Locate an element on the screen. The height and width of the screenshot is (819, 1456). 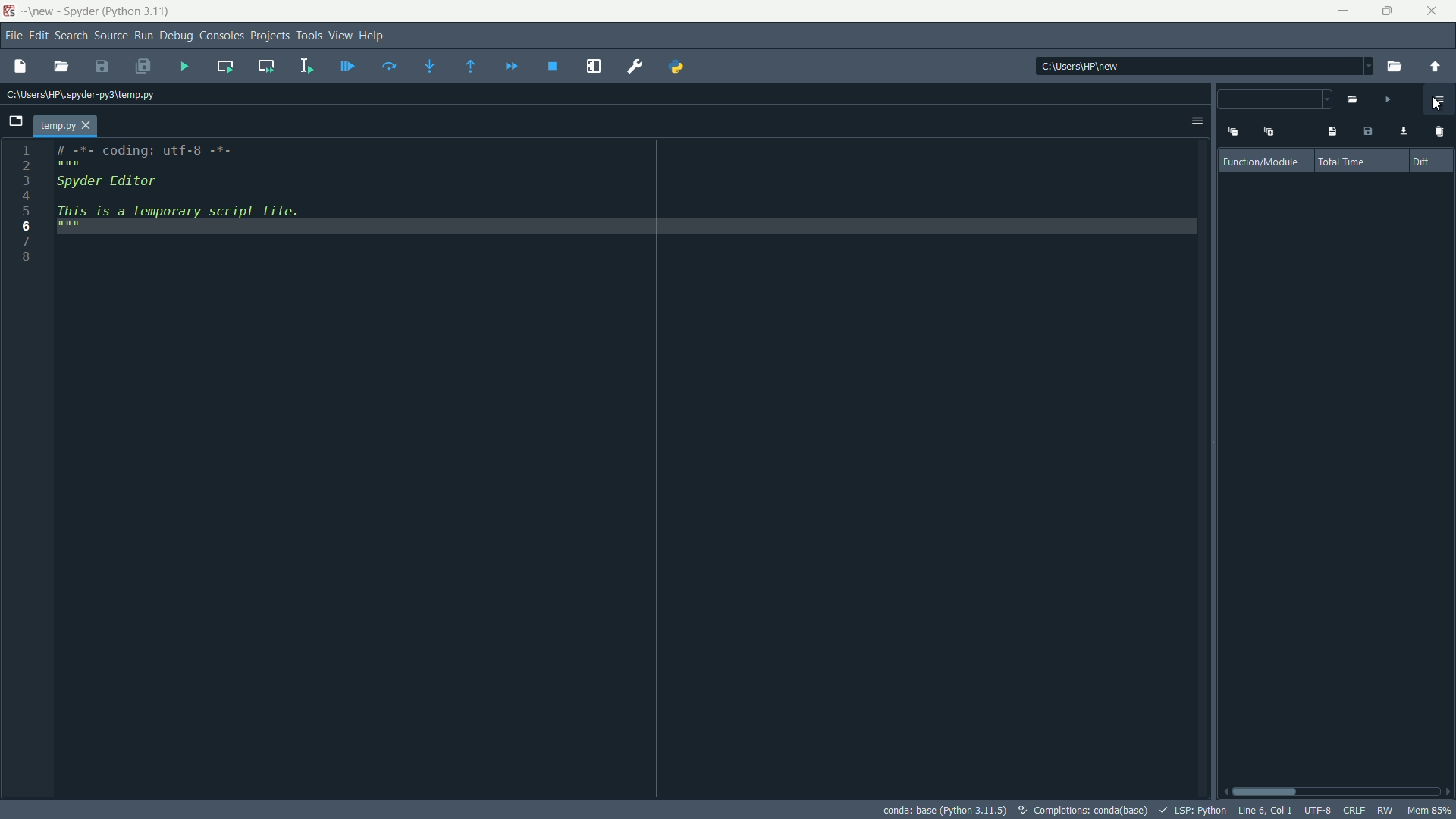
run menu is located at coordinates (144, 36).